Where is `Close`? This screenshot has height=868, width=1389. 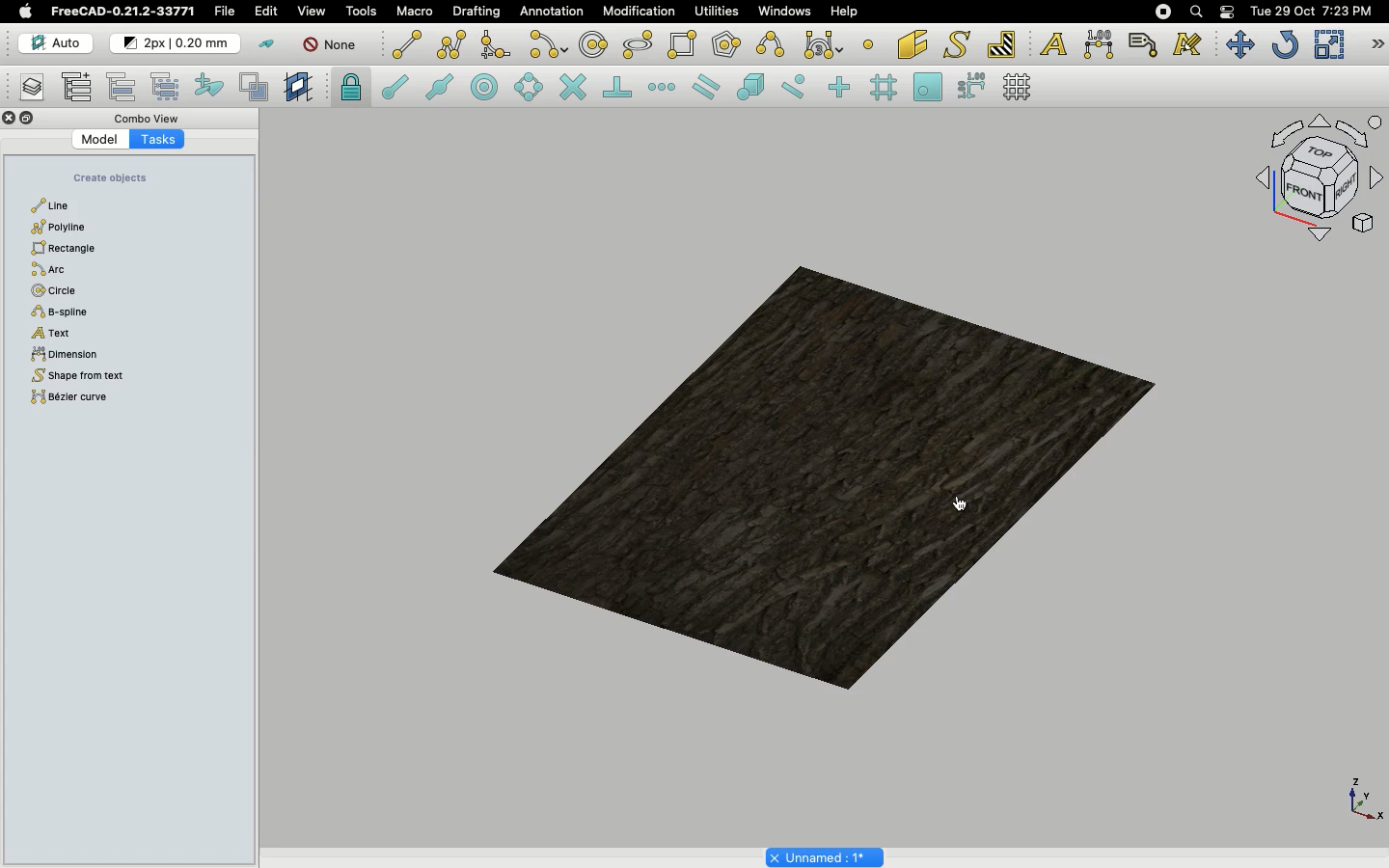
Close is located at coordinates (8, 118).